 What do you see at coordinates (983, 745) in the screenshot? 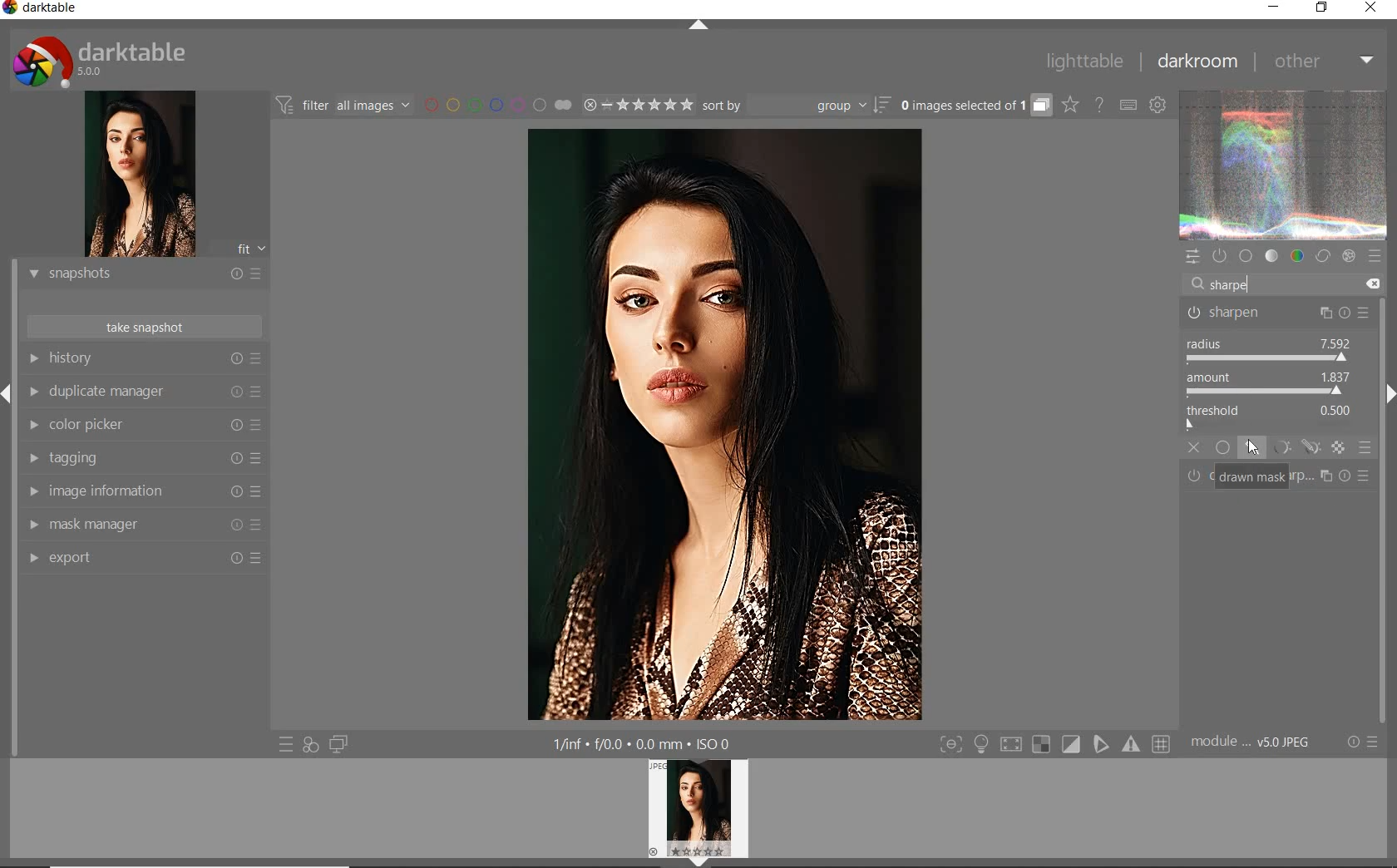
I see `light sign ` at bounding box center [983, 745].